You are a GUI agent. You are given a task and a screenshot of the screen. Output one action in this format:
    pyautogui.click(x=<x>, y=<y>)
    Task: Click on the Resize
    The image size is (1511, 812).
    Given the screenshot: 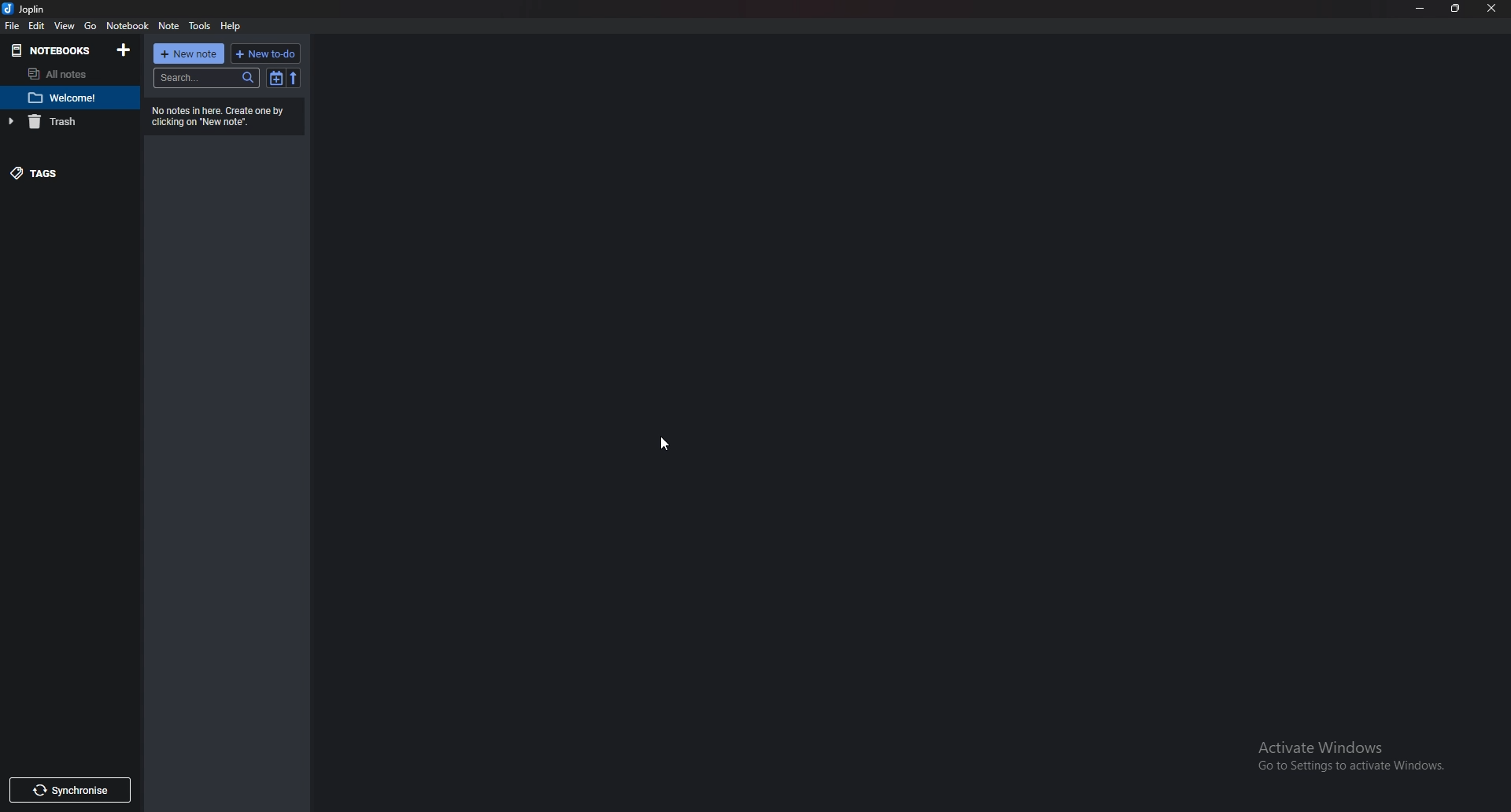 What is the action you would take?
    pyautogui.click(x=1454, y=9)
    